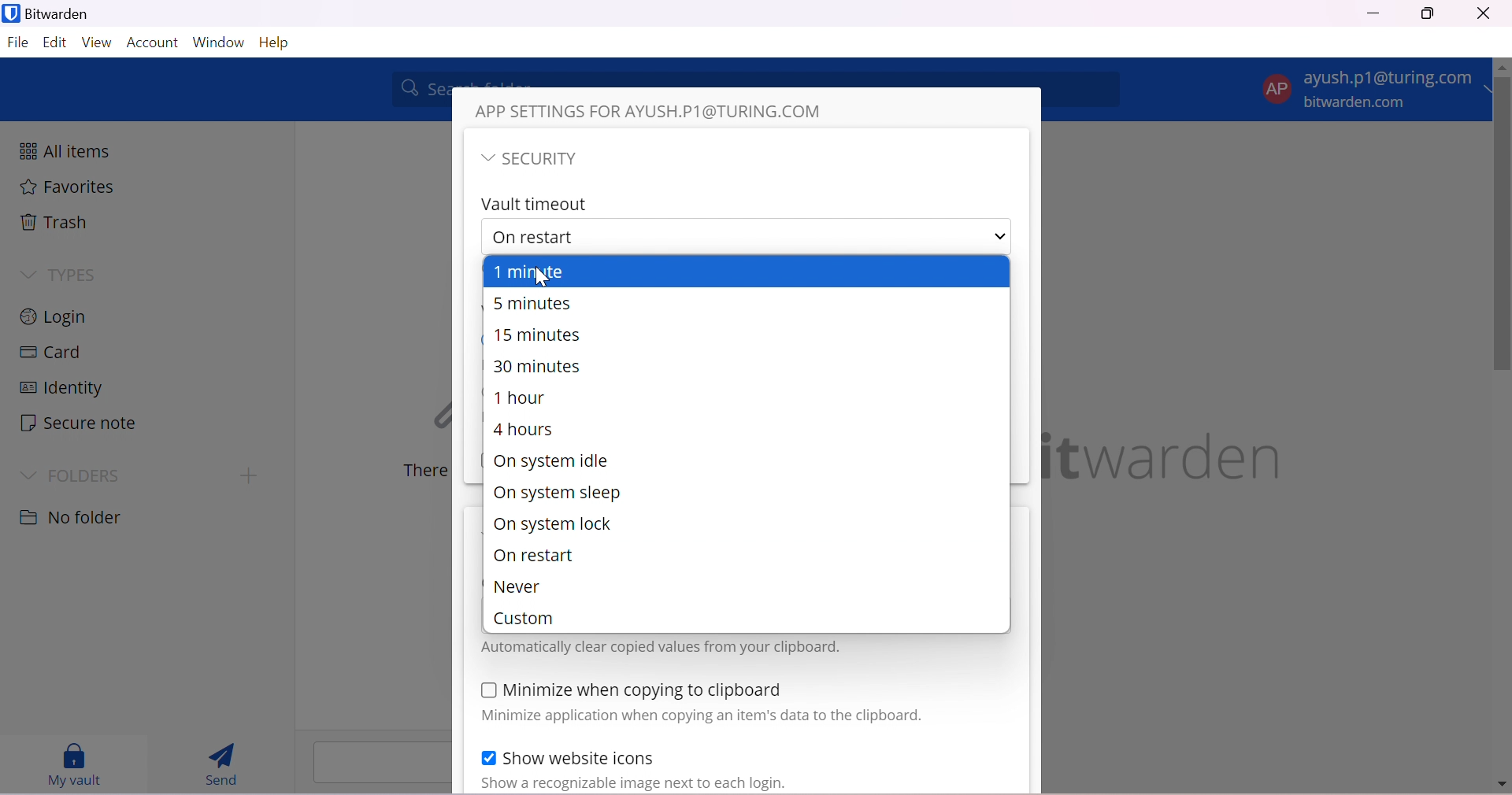  What do you see at coordinates (1503, 227) in the screenshot?
I see `scrollbar` at bounding box center [1503, 227].